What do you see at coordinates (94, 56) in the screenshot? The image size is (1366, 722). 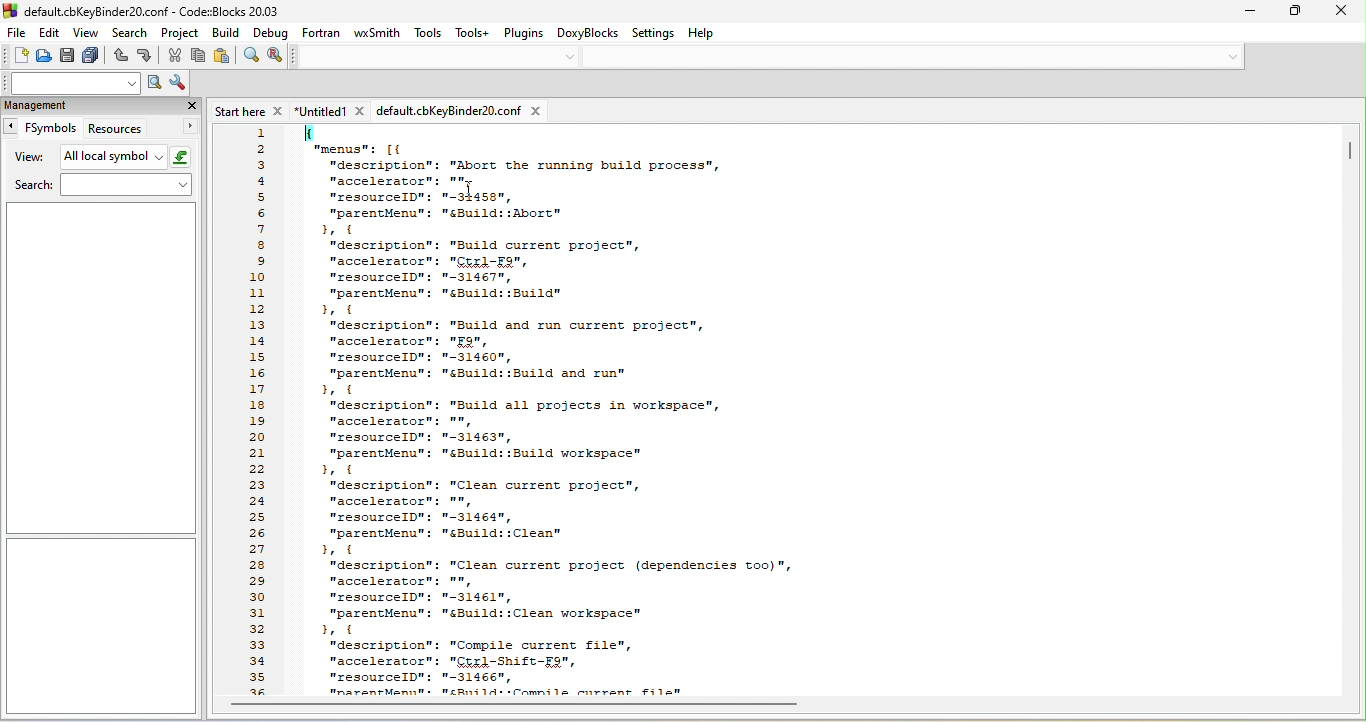 I see `save everything` at bounding box center [94, 56].